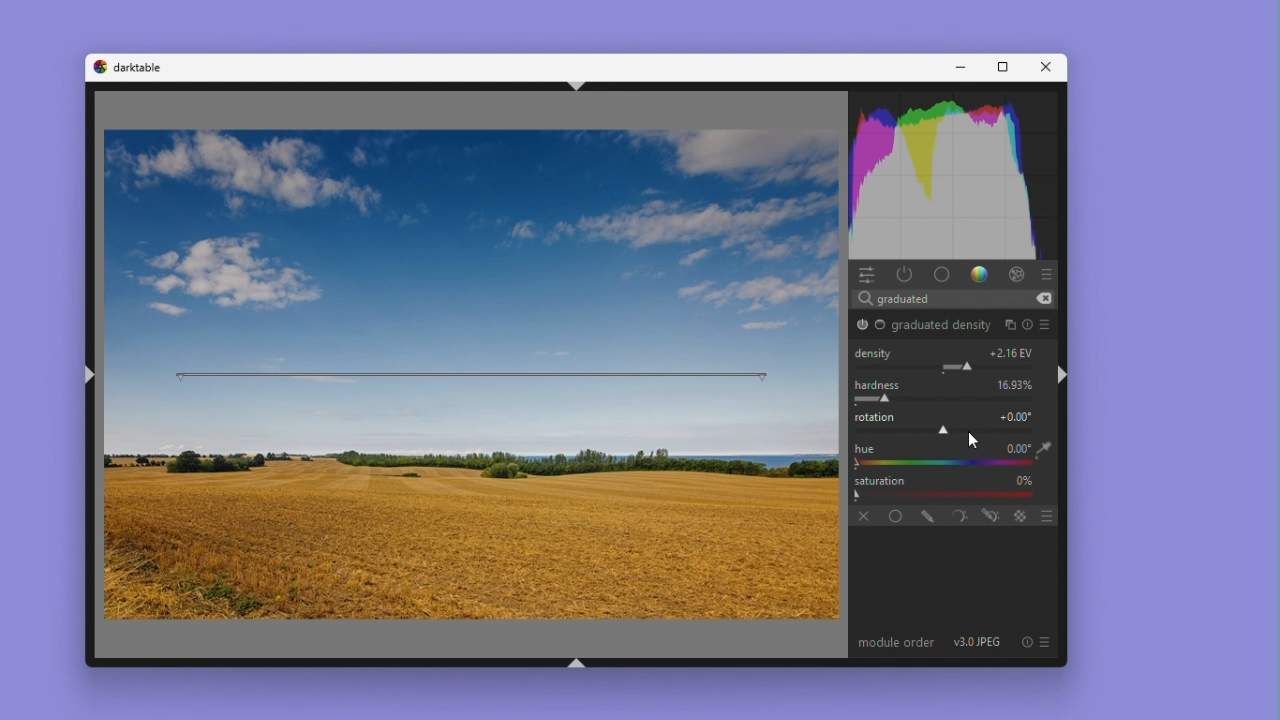 The height and width of the screenshot is (720, 1280). I want to click on +1.00 EV, so click(1013, 352).